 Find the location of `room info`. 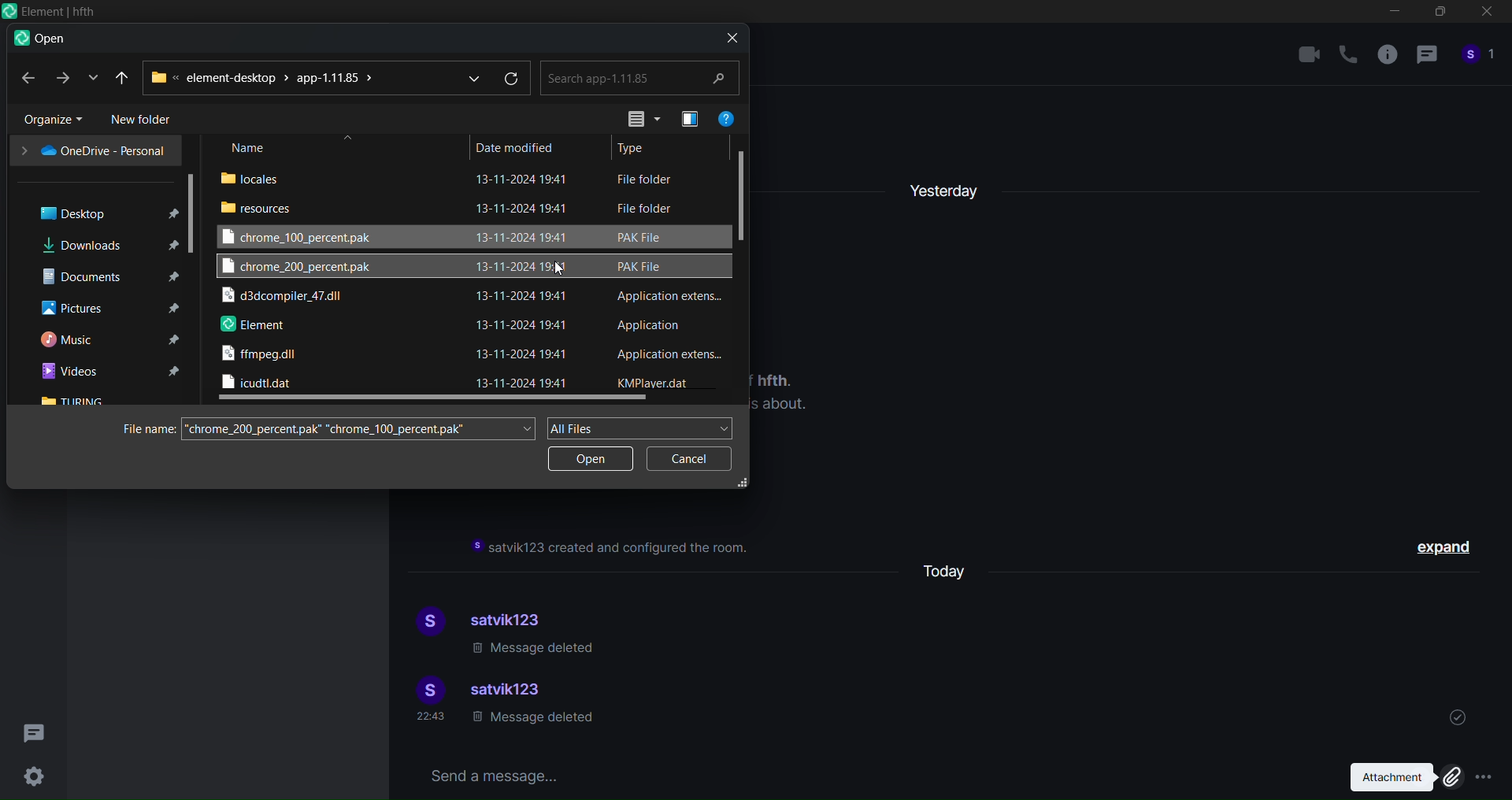

room info is located at coordinates (1385, 57).